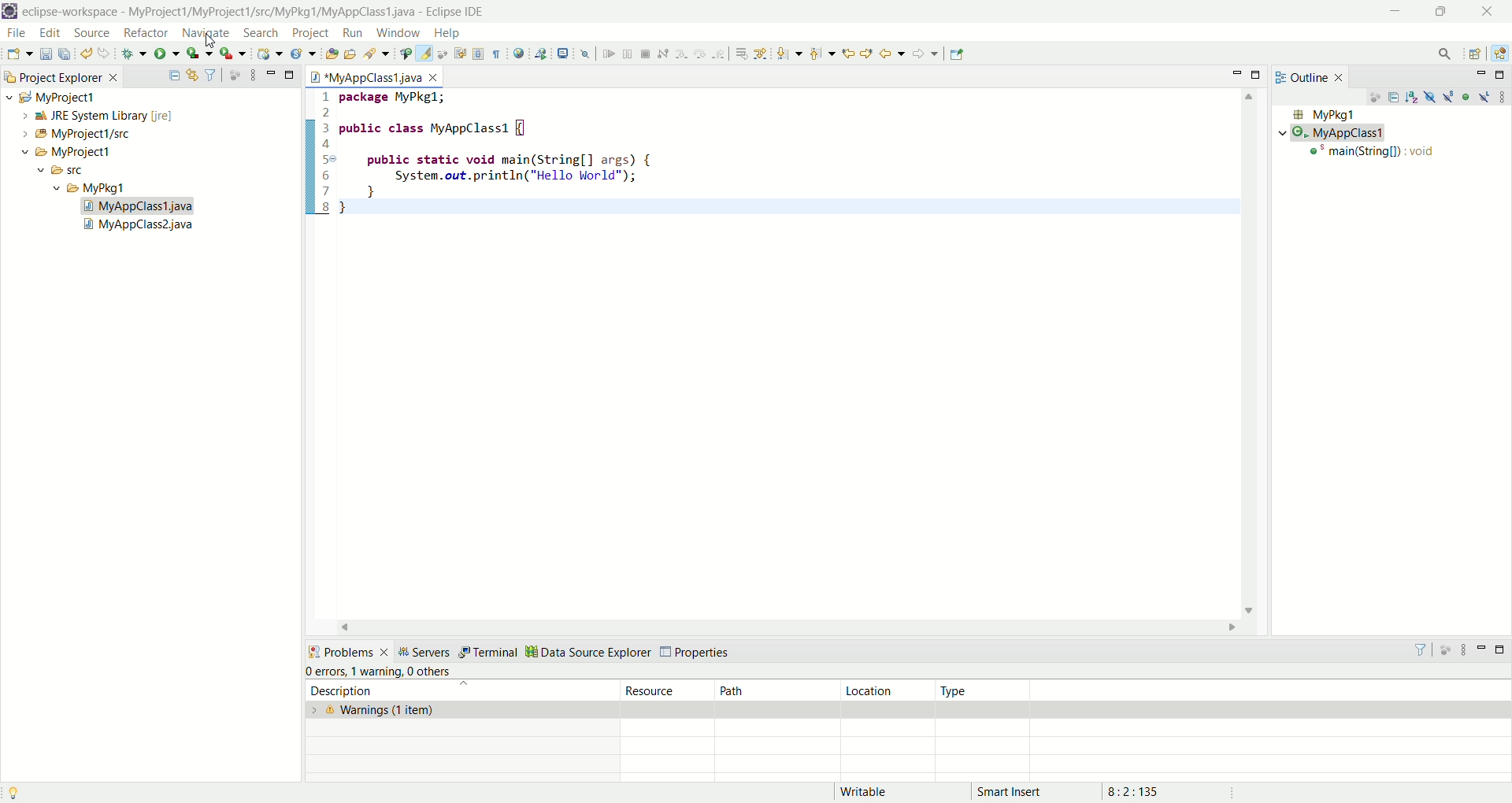  I want to click on focus on active task, so click(1373, 98).